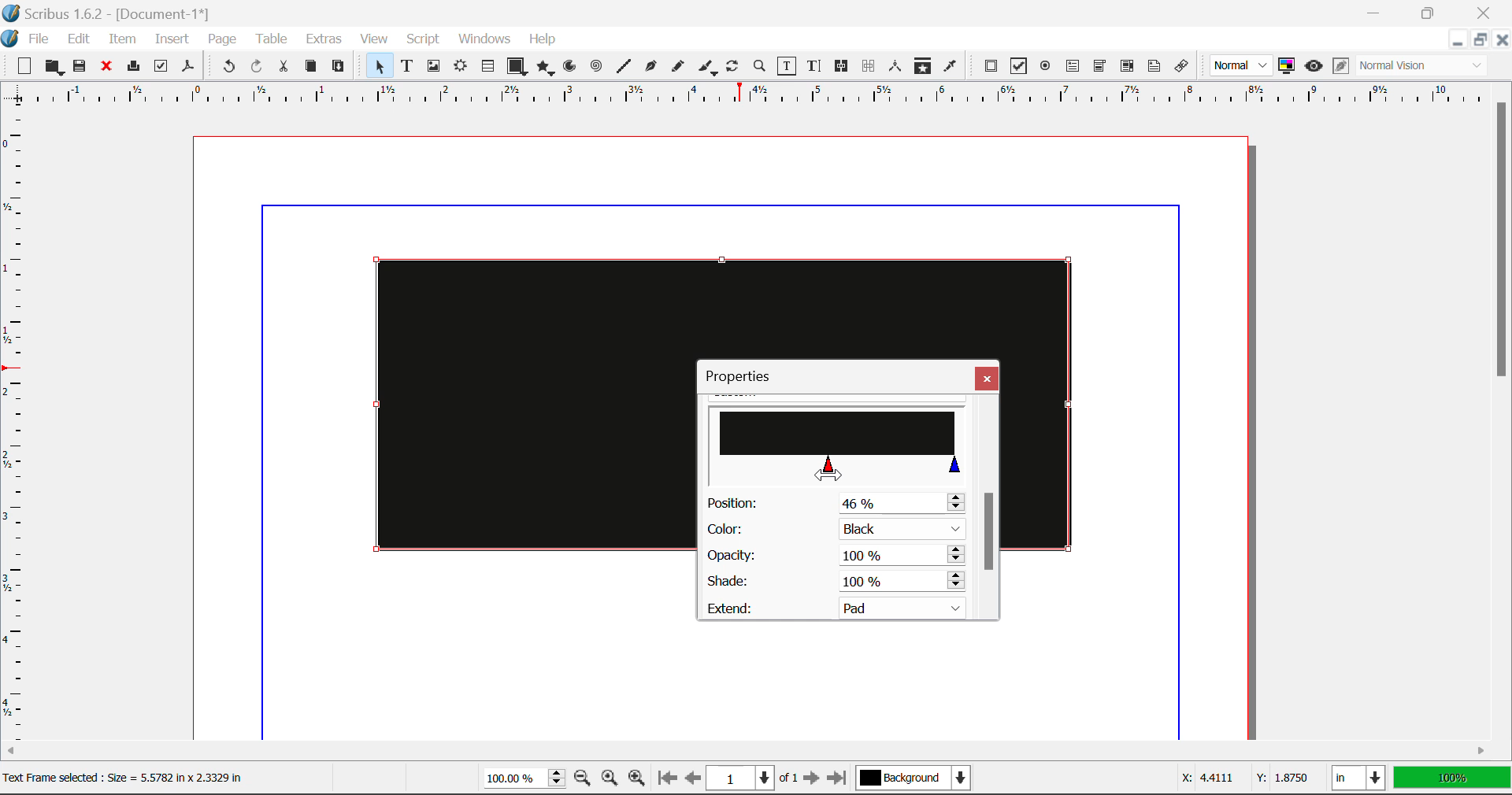 Image resolution: width=1512 pixels, height=795 pixels. I want to click on Text Frame selected : Size = 5.5782 in x 2.3329 in, so click(131, 778).